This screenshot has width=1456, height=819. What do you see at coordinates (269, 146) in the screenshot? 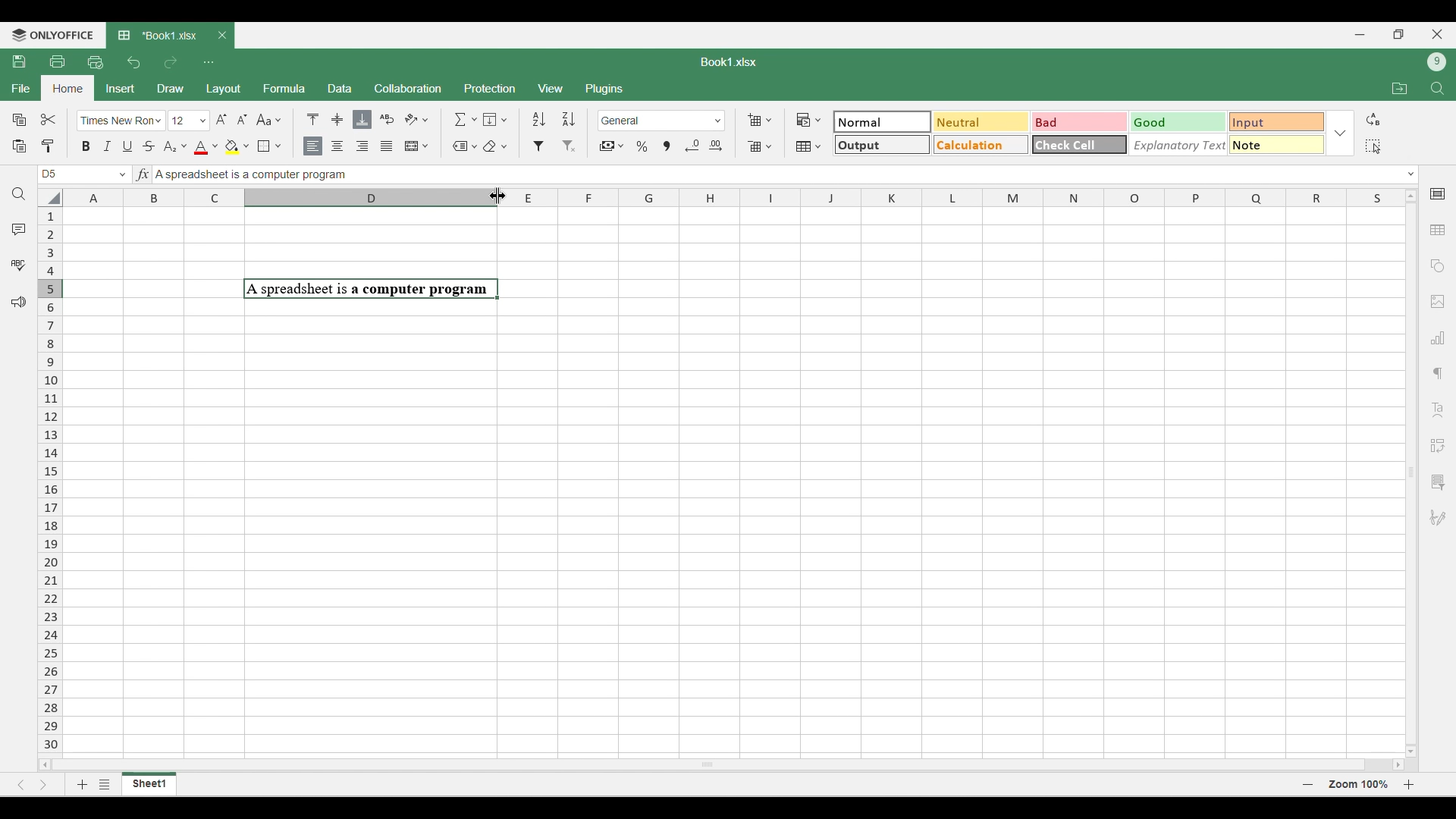
I see `Borders` at bounding box center [269, 146].